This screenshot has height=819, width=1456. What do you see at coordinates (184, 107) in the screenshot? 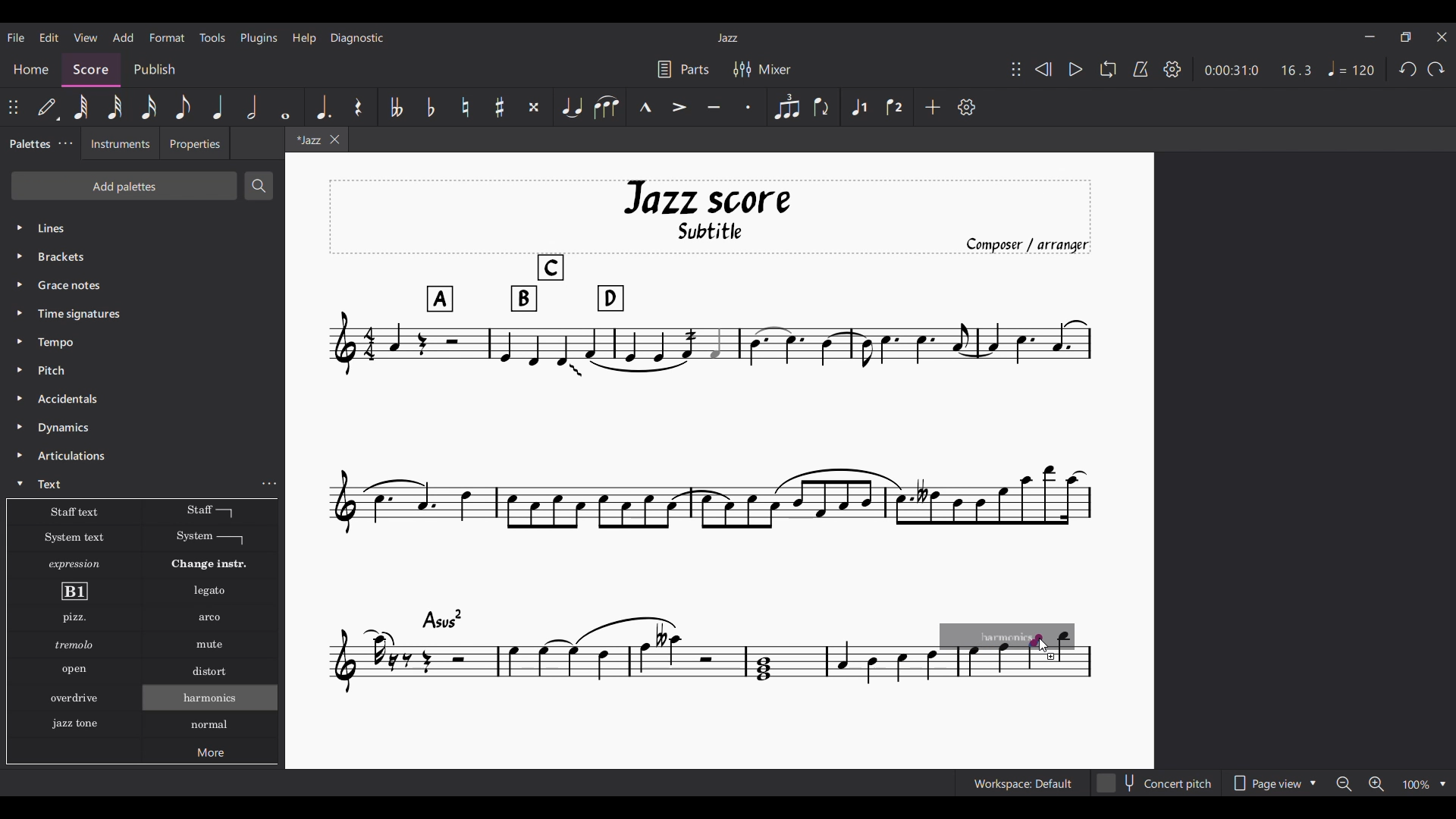
I see `8th note` at bounding box center [184, 107].